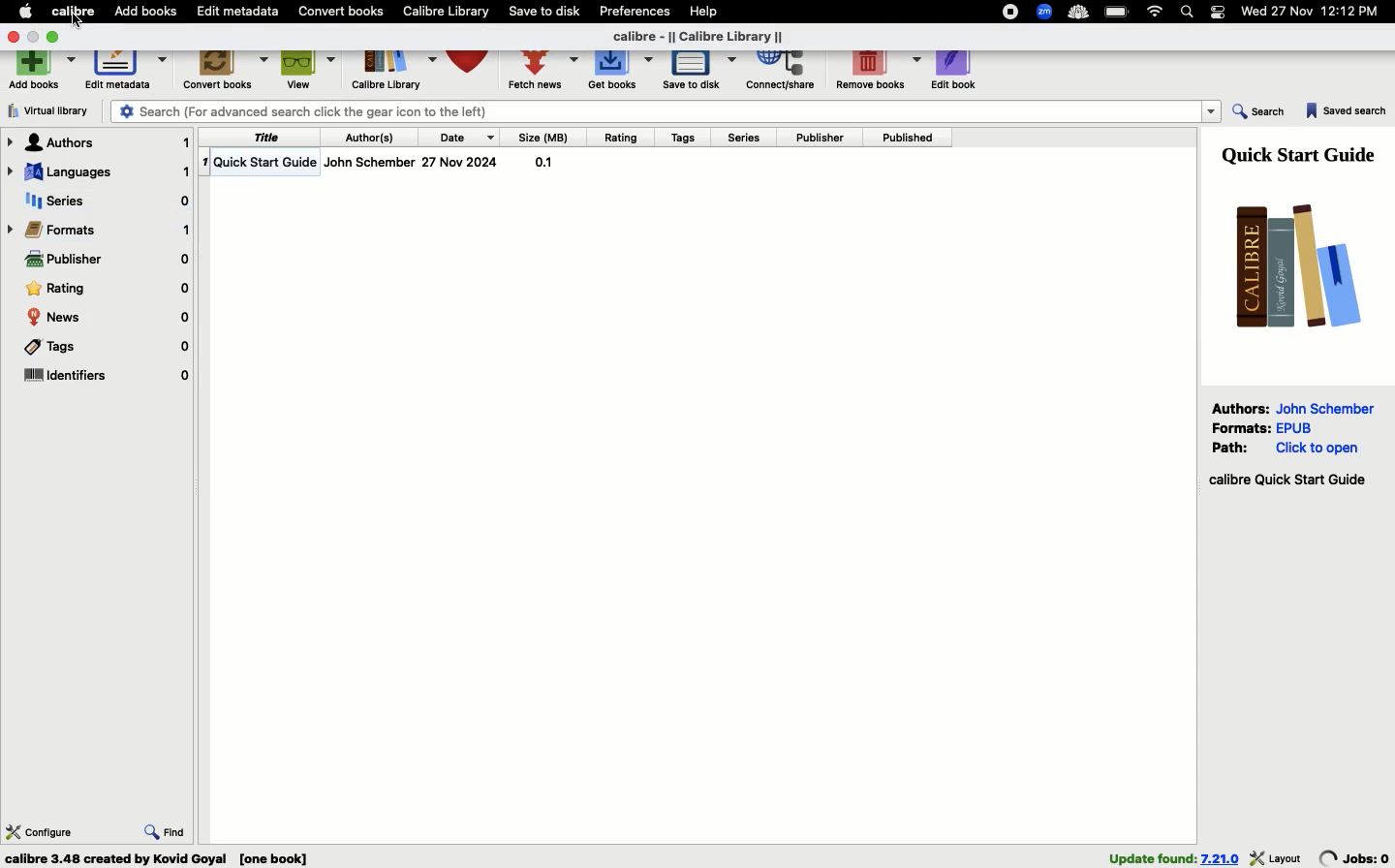 Image resolution: width=1395 pixels, height=868 pixels. I want to click on Rating, so click(618, 138).